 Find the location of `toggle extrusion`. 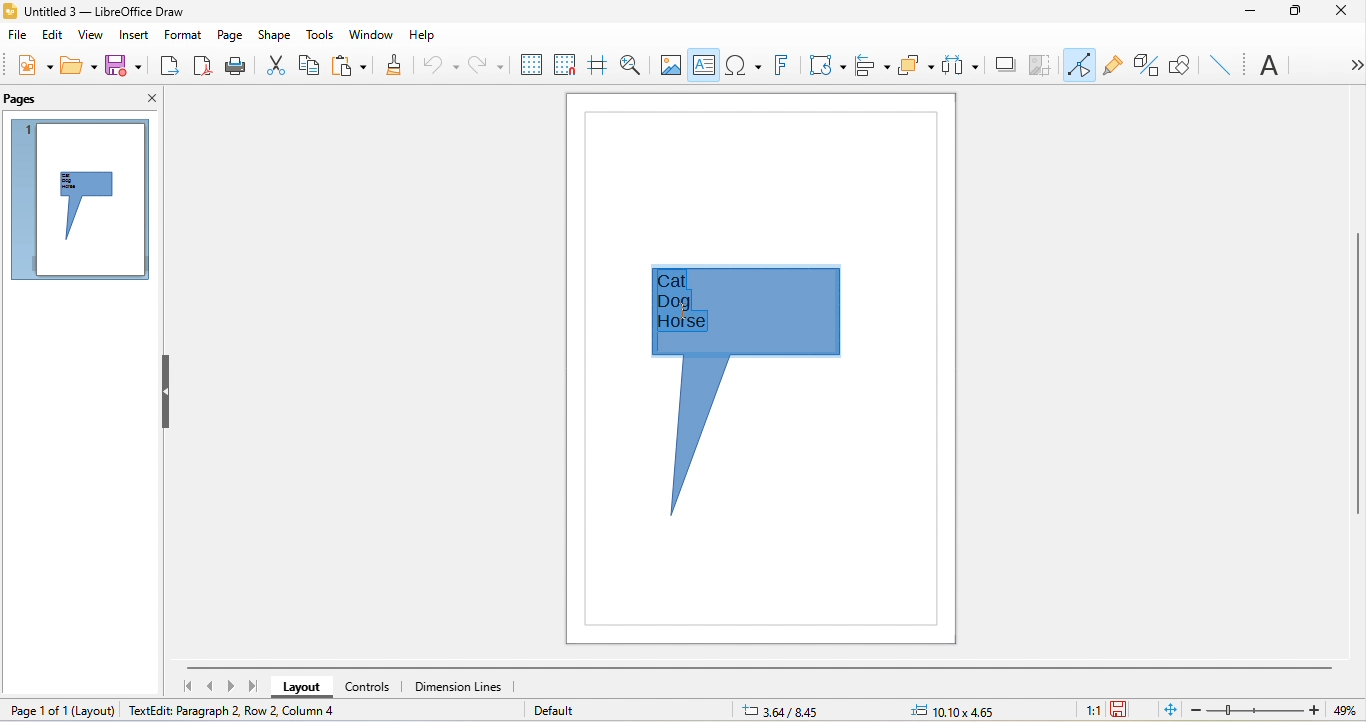

toggle extrusion is located at coordinates (1146, 66).